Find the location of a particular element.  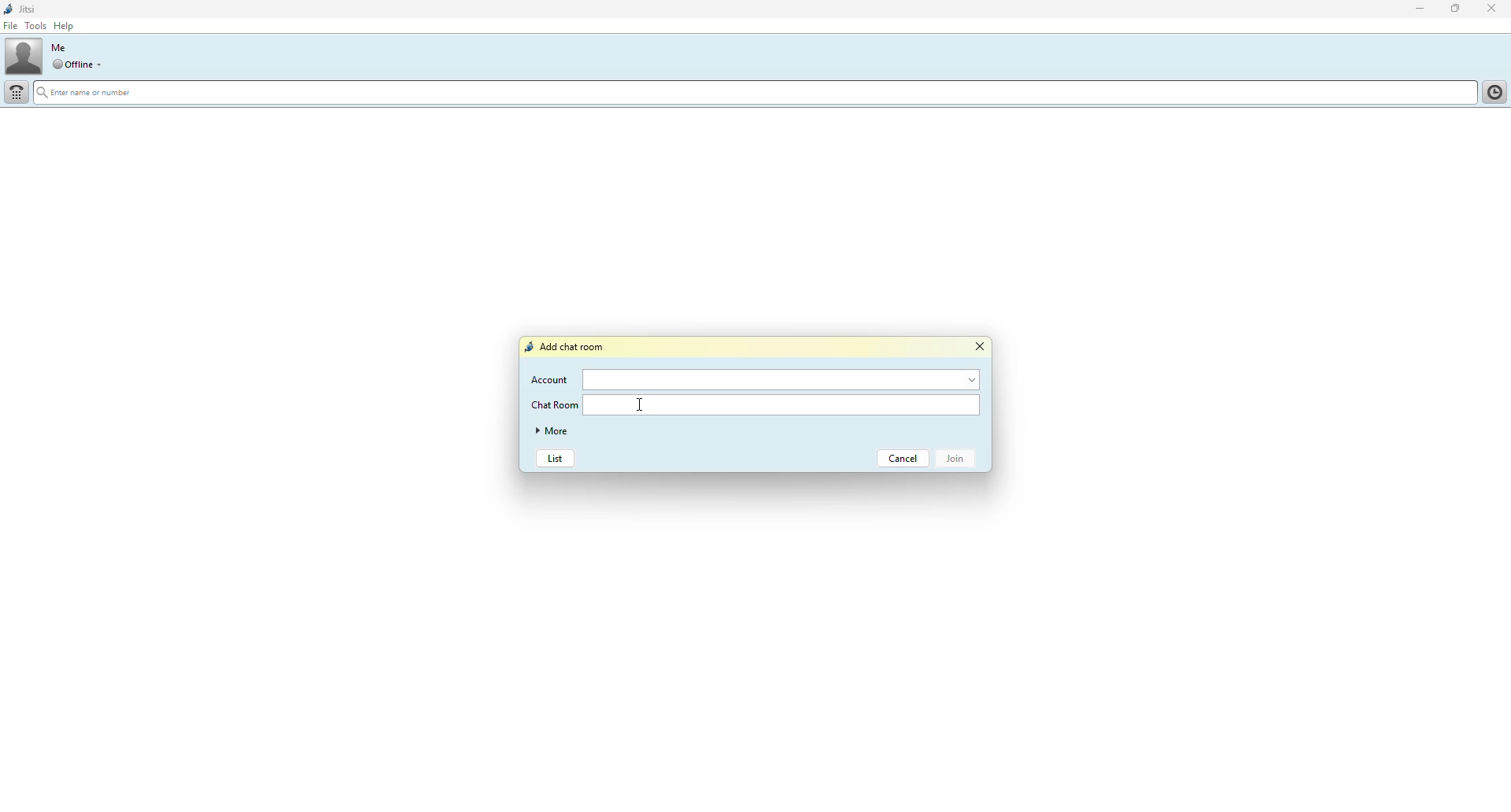

jitsi is located at coordinates (20, 9).